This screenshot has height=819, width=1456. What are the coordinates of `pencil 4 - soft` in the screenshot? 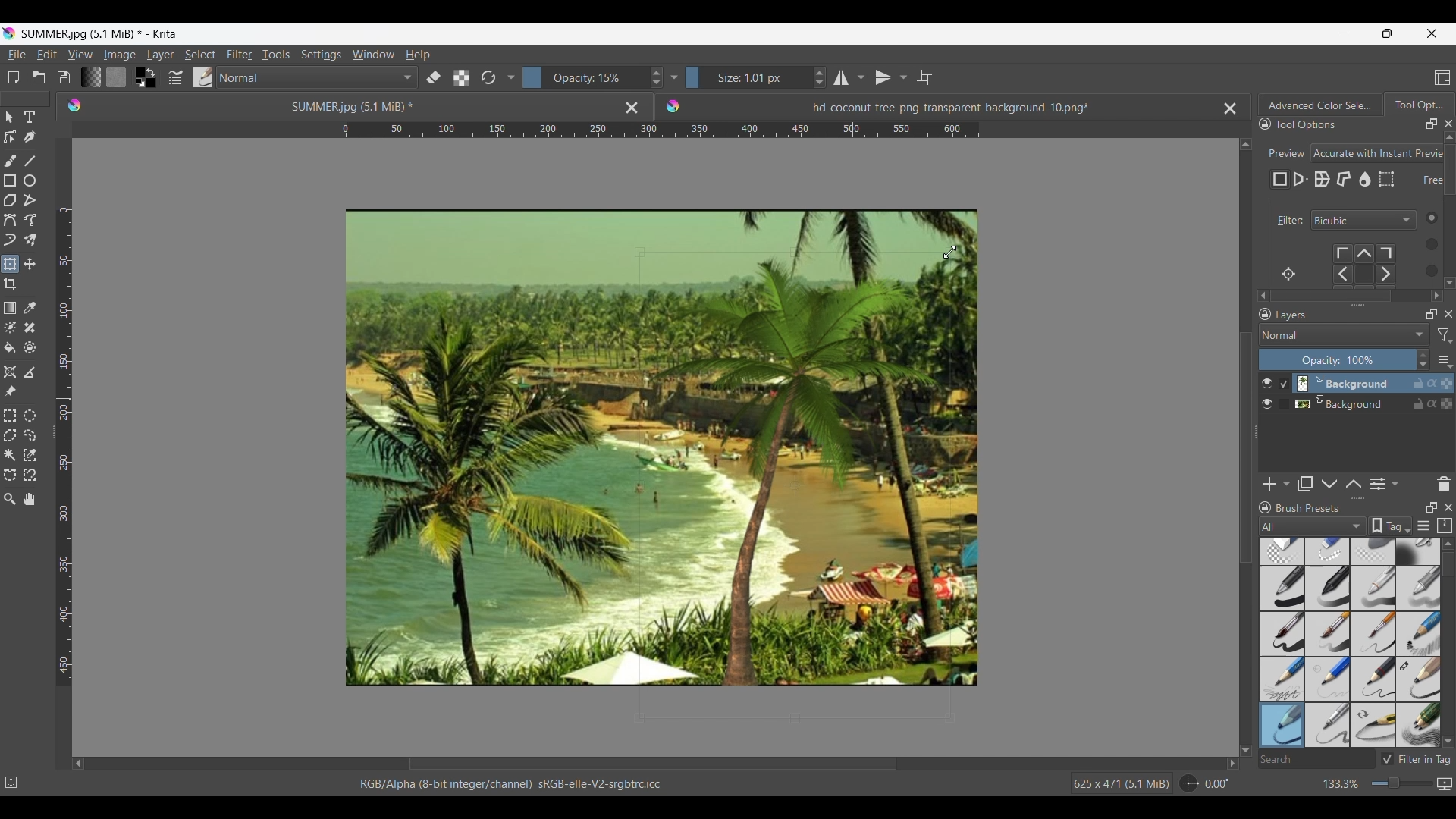 It's located at (1281, 724).